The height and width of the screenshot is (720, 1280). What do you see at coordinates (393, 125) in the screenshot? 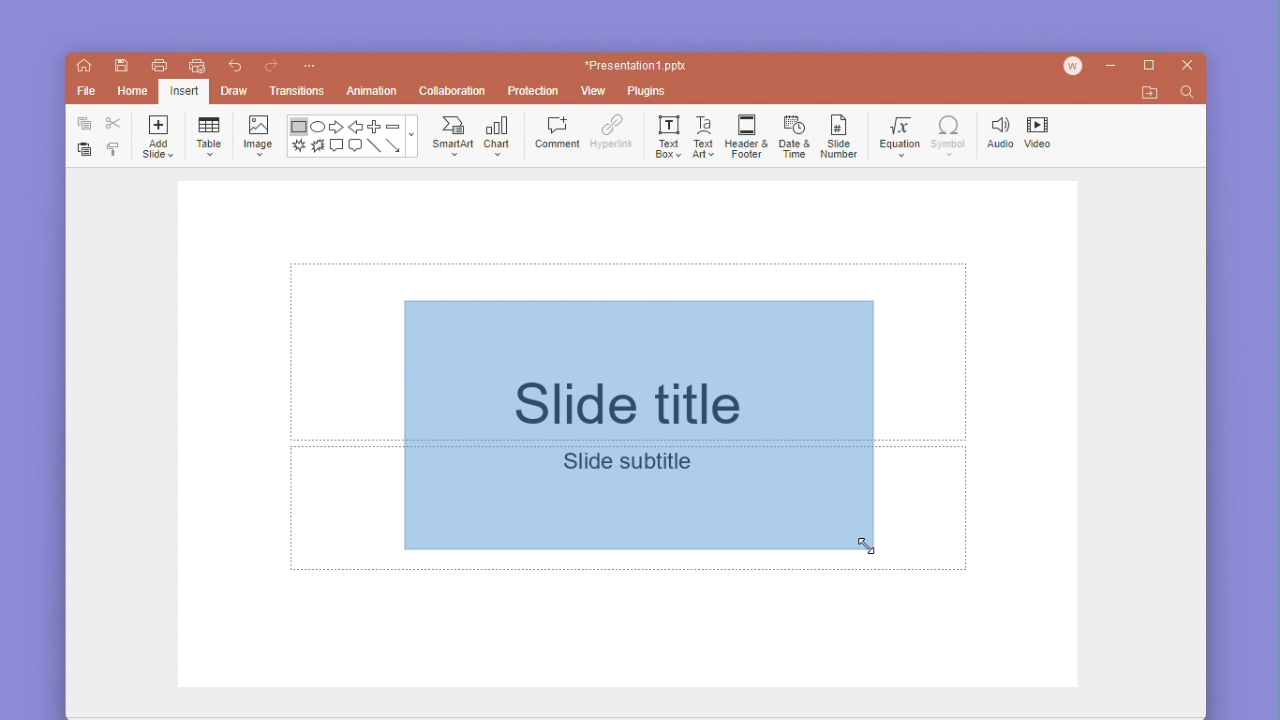
I see `minus` at bounding box center [393, 125].